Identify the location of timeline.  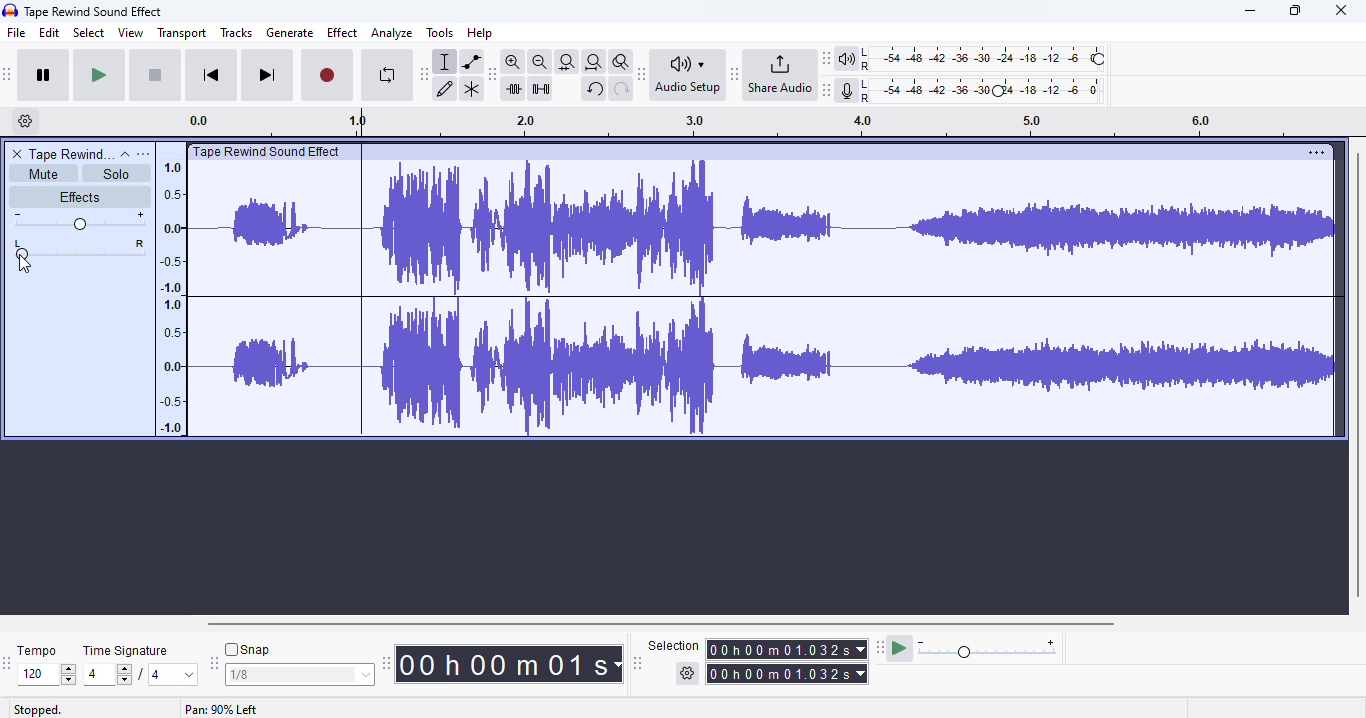
(749, 124).